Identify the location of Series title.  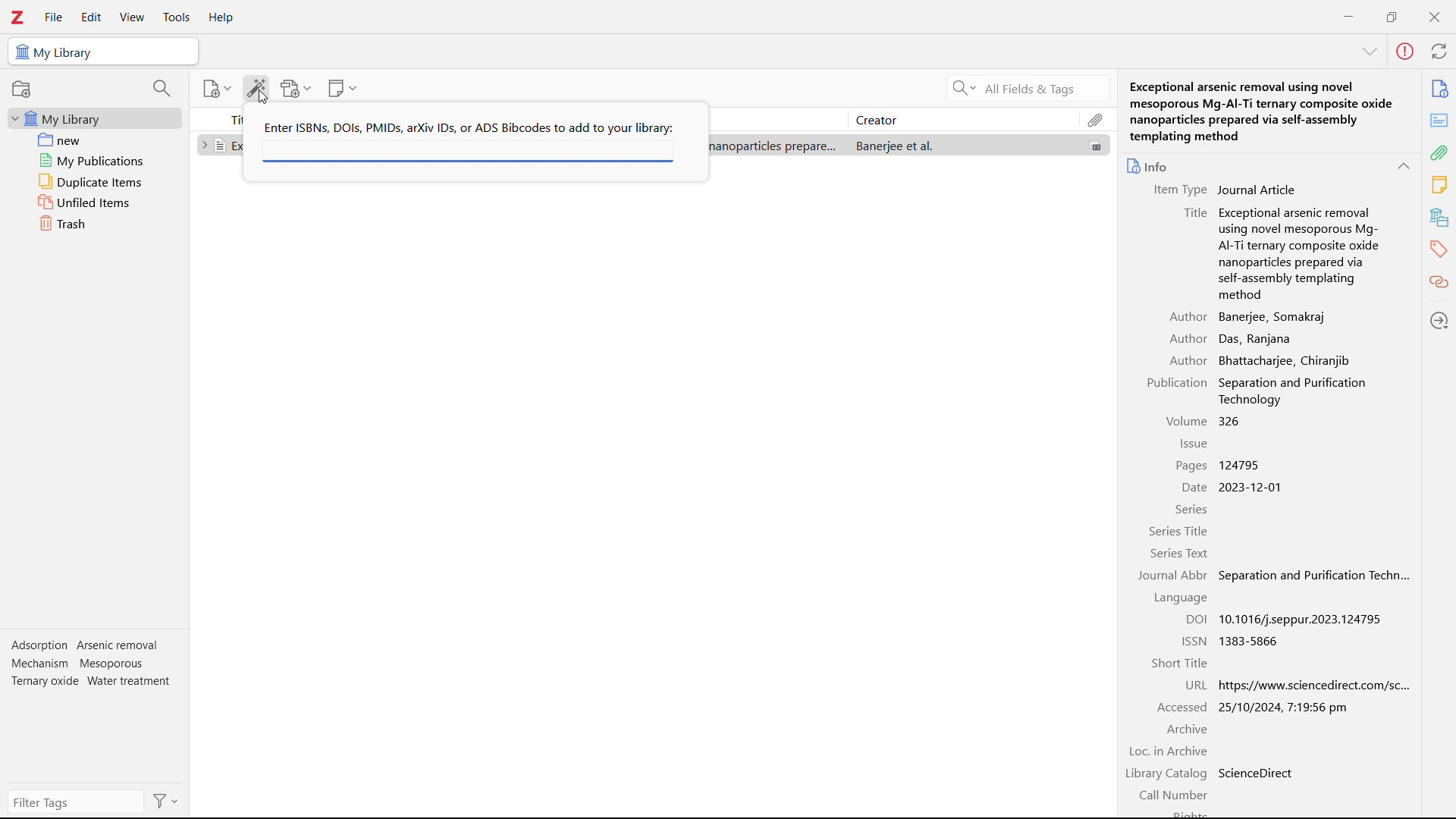
(1180, 532).